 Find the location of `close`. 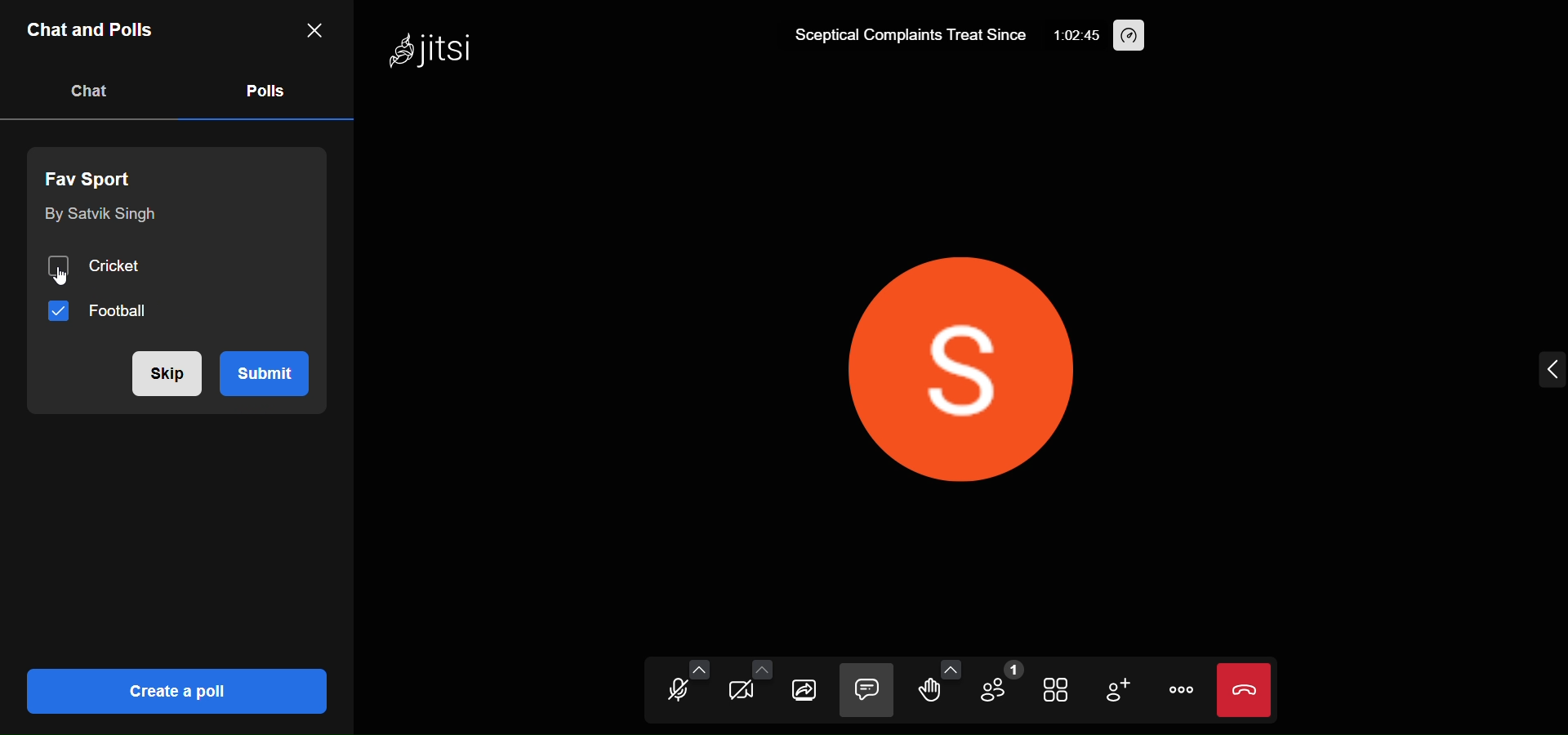

close is located at coordinates (313, 29).